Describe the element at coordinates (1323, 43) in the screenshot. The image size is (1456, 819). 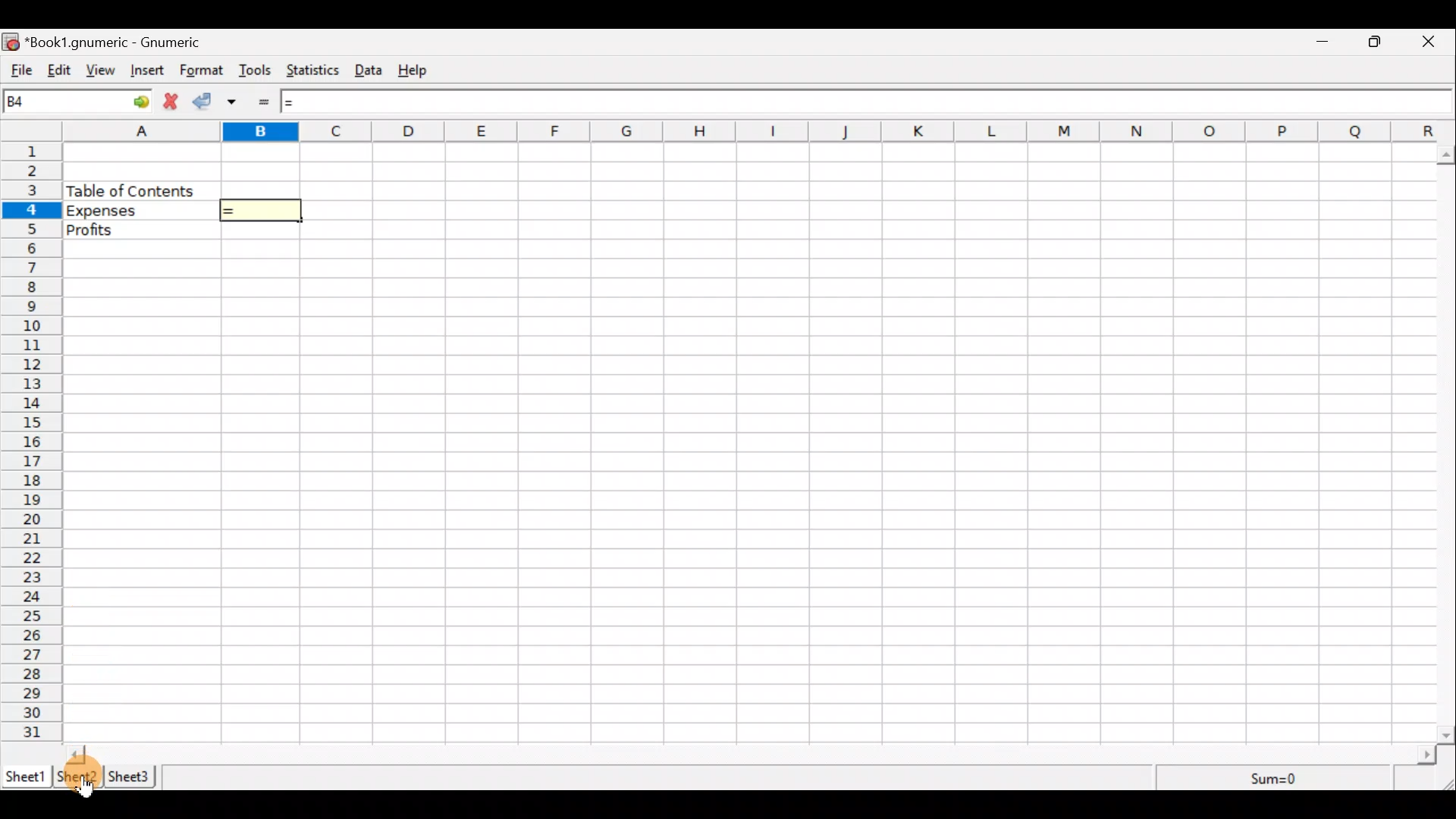
I see `Minimize` at that location.